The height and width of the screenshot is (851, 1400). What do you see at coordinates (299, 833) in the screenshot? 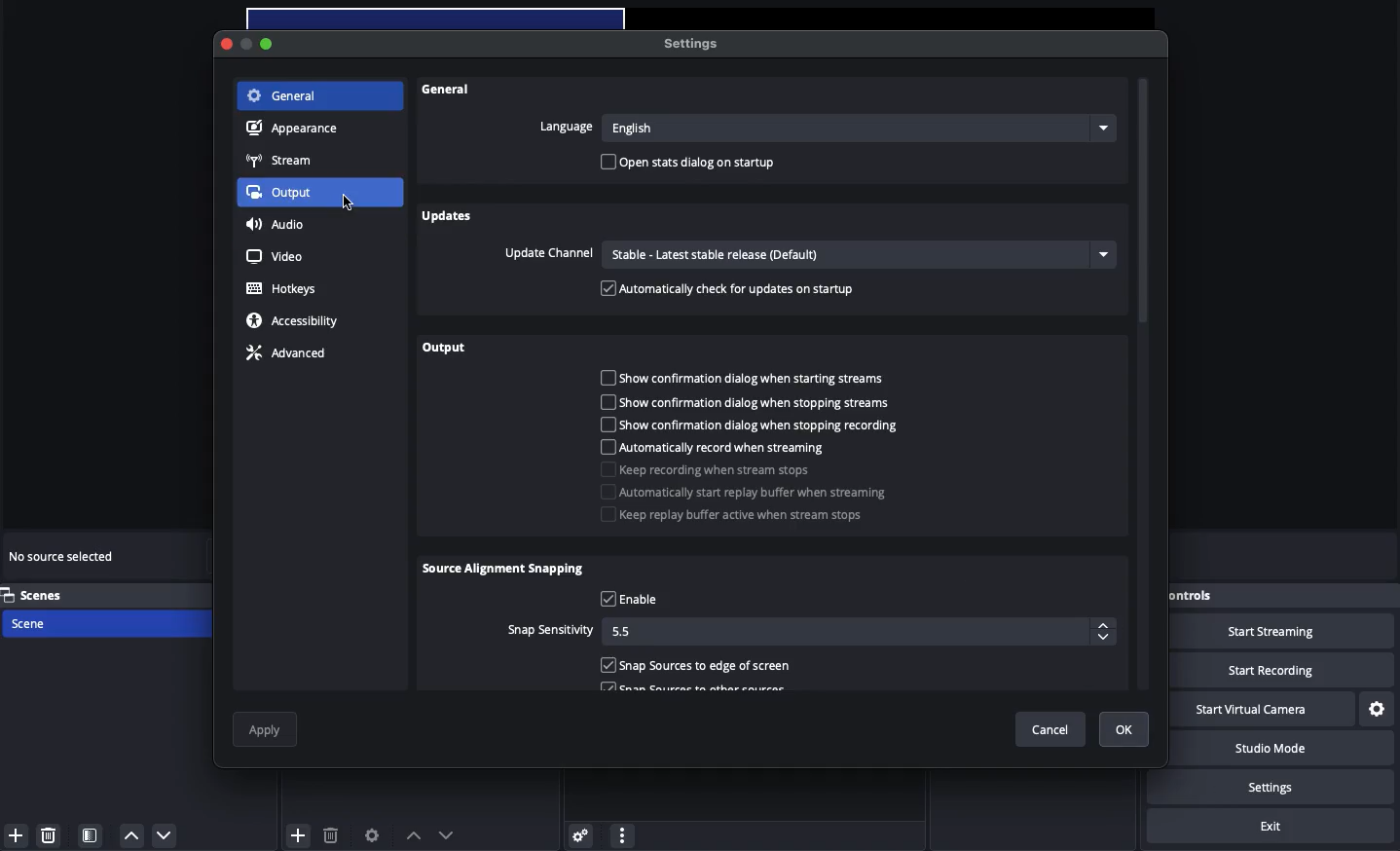
I see `Add` at bounding box center [299, 833].